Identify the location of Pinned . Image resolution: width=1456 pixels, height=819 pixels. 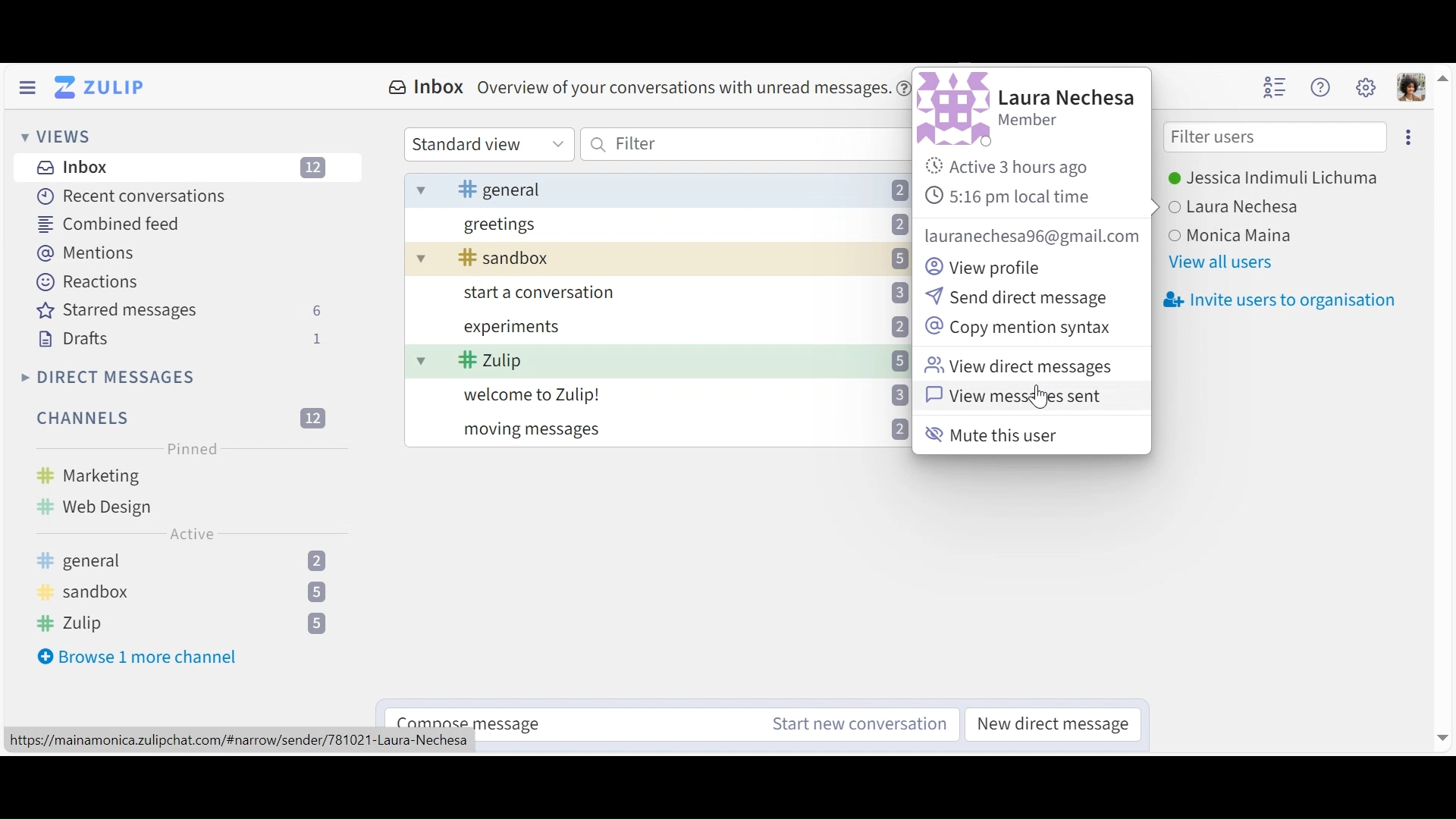
(189, 448).